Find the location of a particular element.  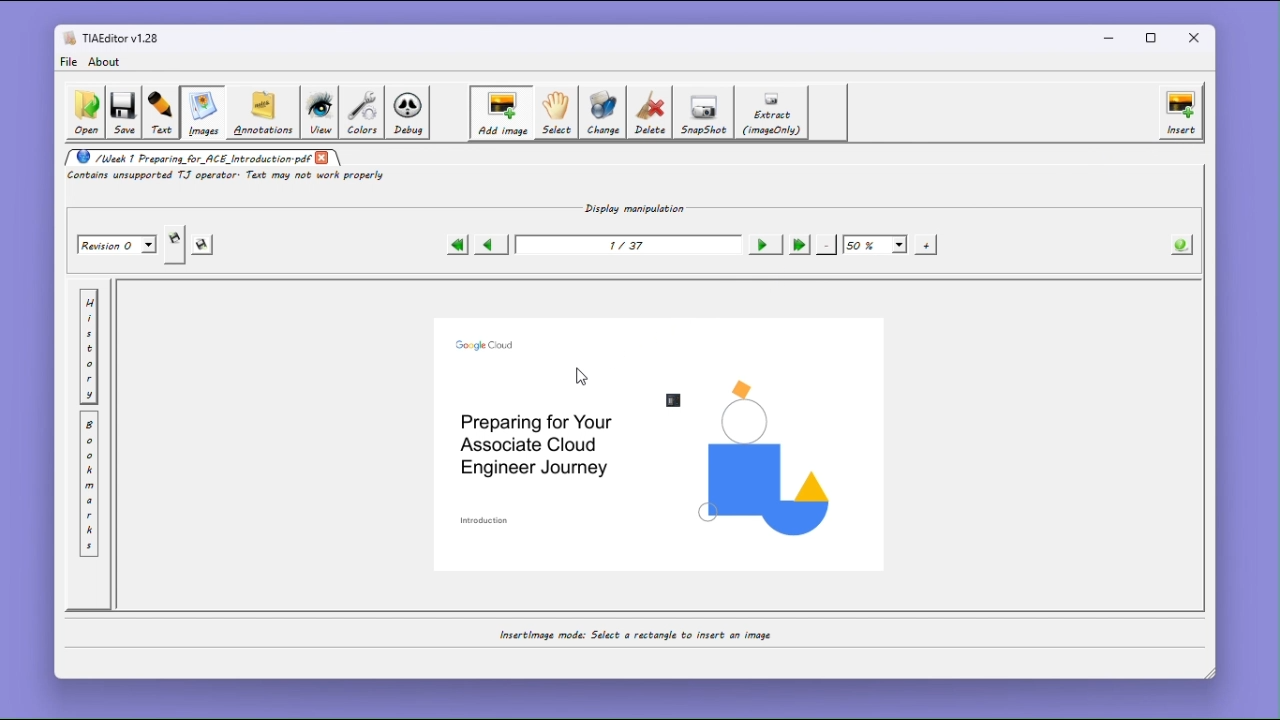

about is located at coordinates (107, 62).